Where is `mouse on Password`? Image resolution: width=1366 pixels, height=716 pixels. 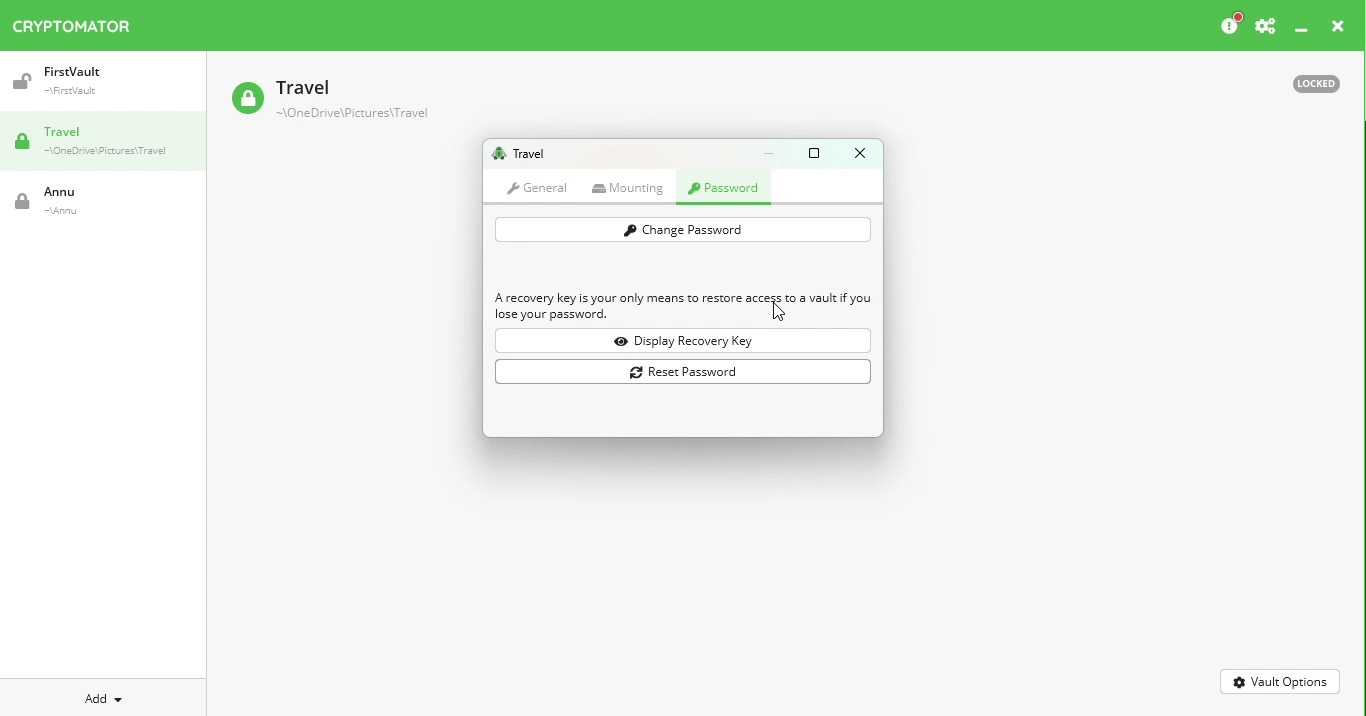
mouse on Password is located at coordinates (727, 190).